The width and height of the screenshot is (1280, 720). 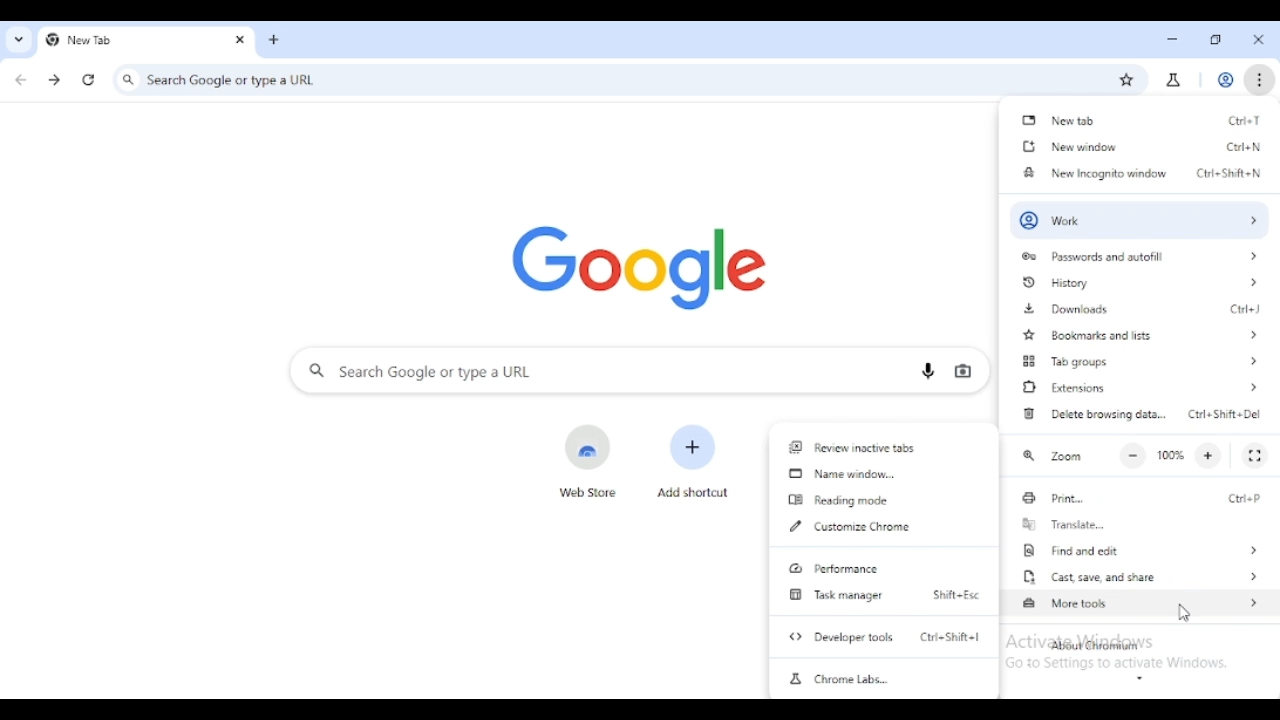 I want to click on more tools, so click(x=1142, y=602).